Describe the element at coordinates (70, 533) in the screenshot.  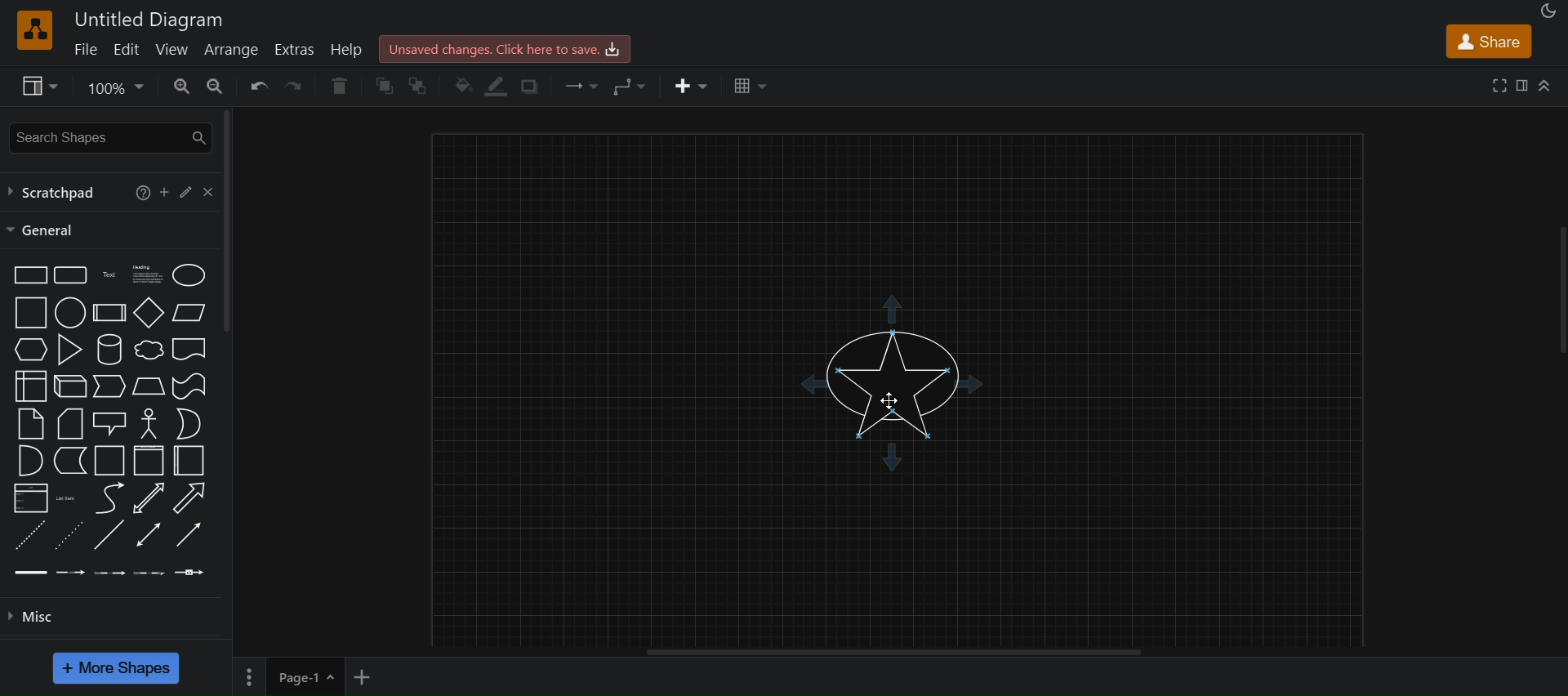
I see `dotted line` at that location.